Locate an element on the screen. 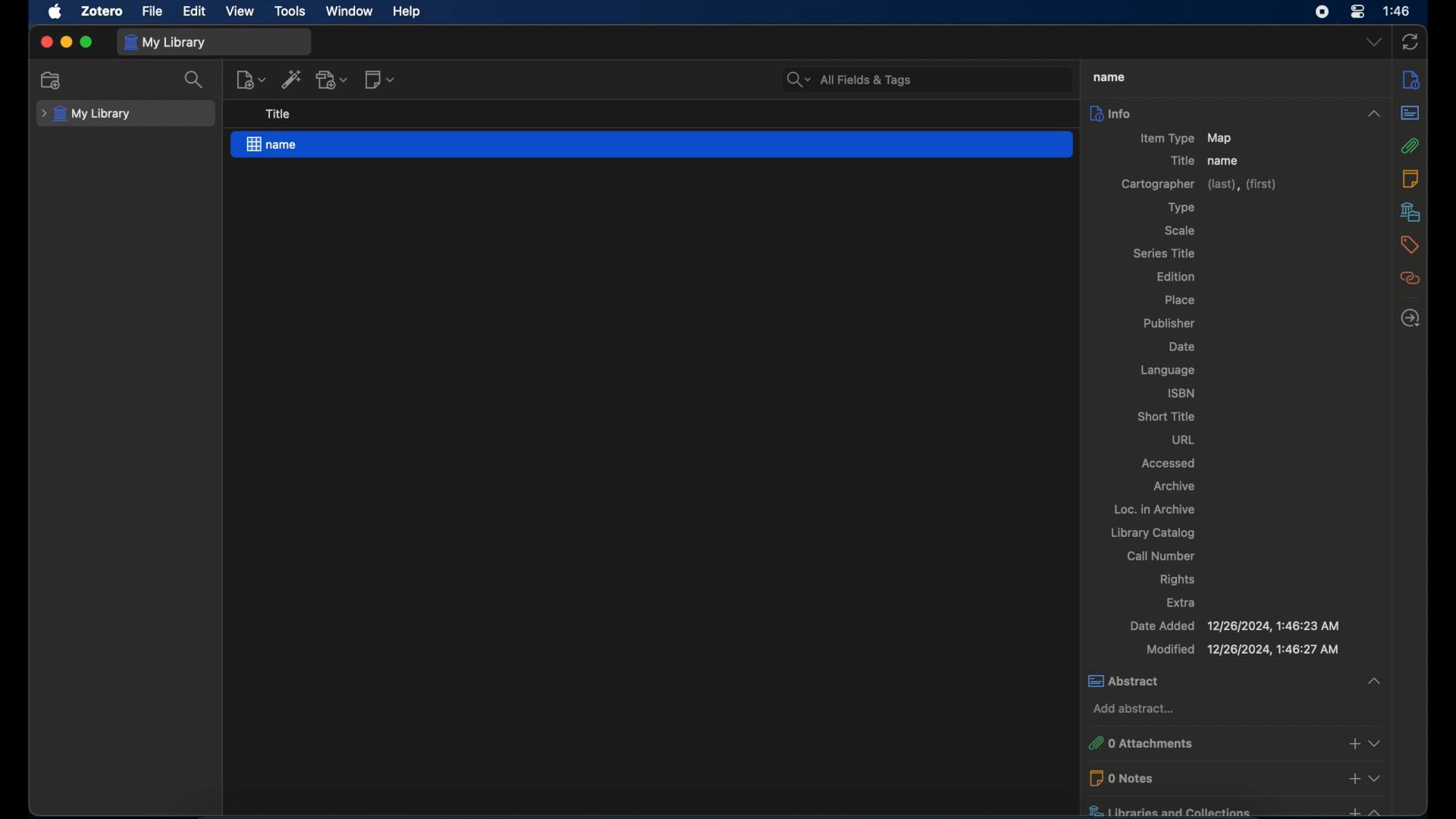 Image resolution: width=1456 pixels, height=819 pixels. libraries and collections is located at coordinates (1201, 808).